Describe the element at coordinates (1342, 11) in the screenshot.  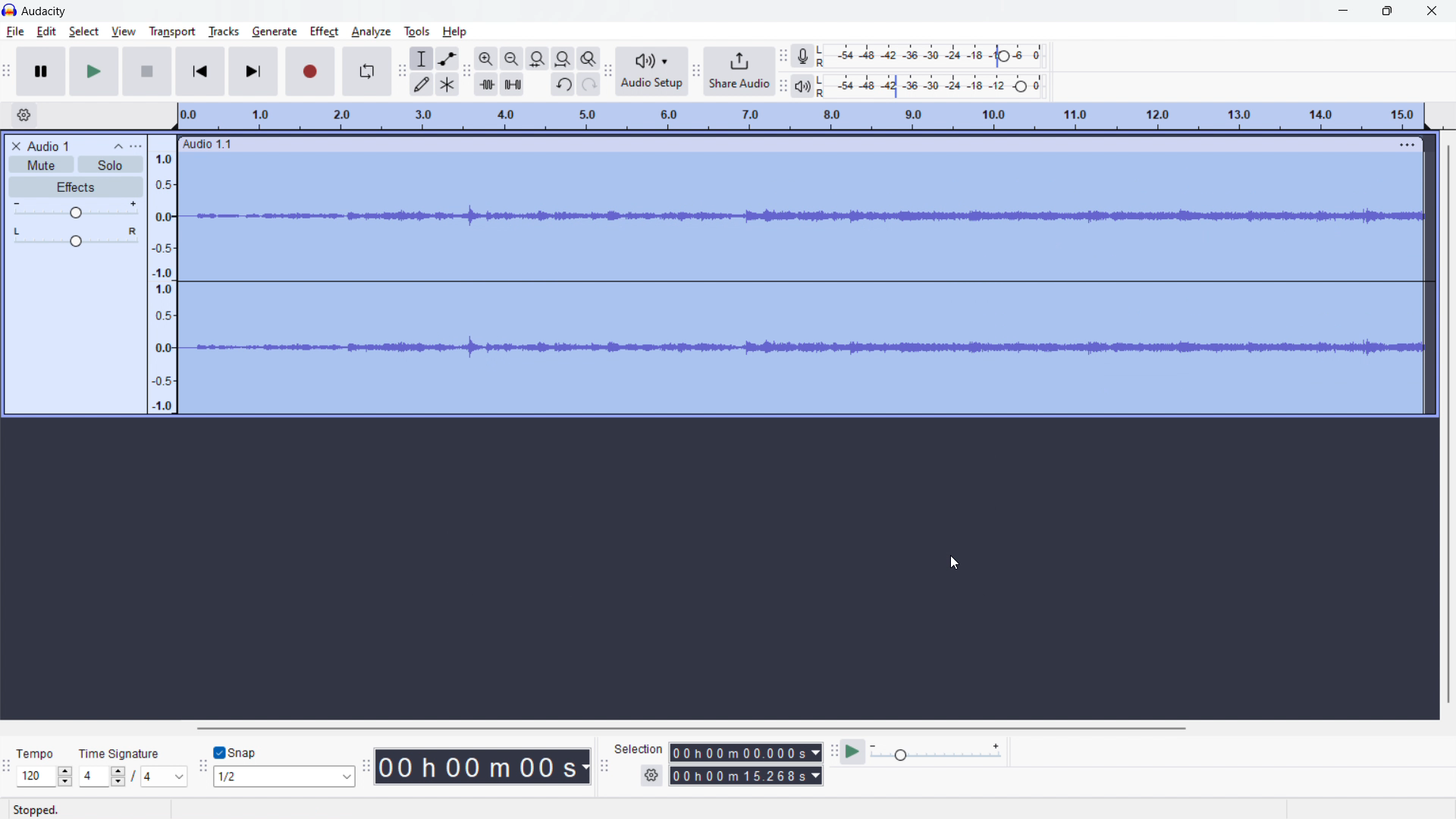
I see `minimize` at that location.